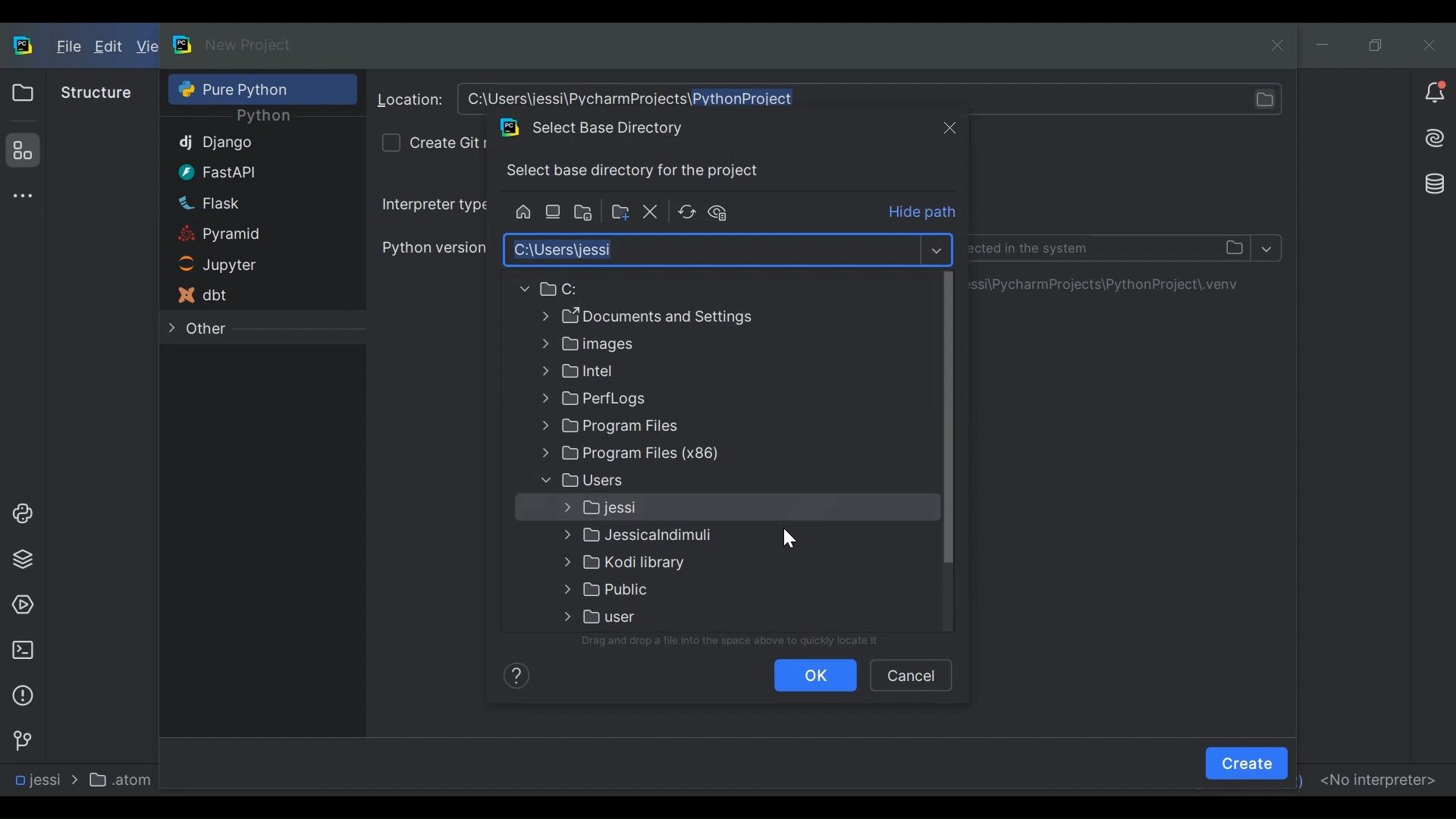 Image resolution: width=1456 pixels, height=819 pixels. I want to click on Hide path, so click(924, 213).